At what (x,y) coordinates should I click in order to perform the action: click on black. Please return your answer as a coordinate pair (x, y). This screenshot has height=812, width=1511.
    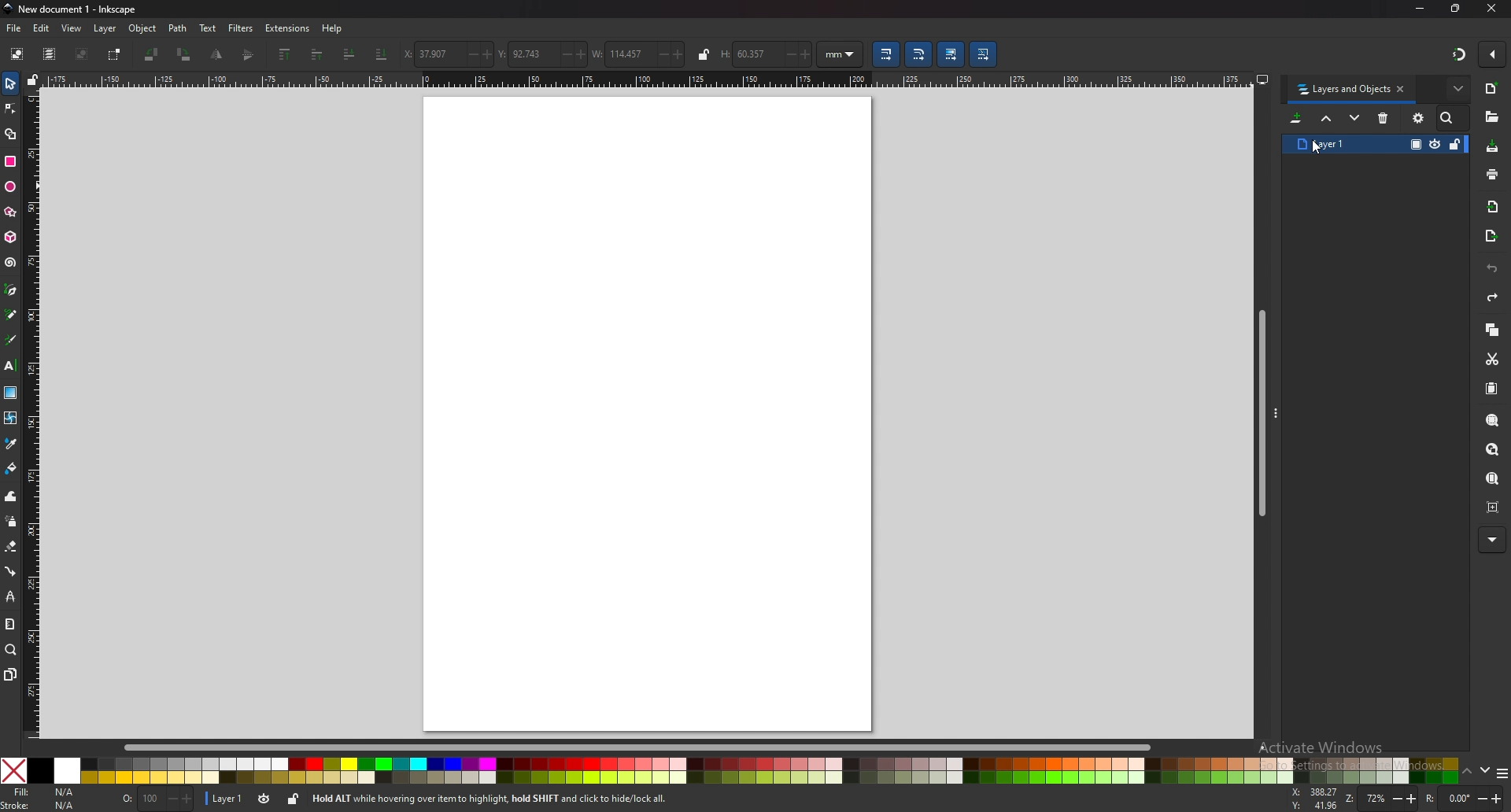
    Looking at the image, I should click on (40, 770).